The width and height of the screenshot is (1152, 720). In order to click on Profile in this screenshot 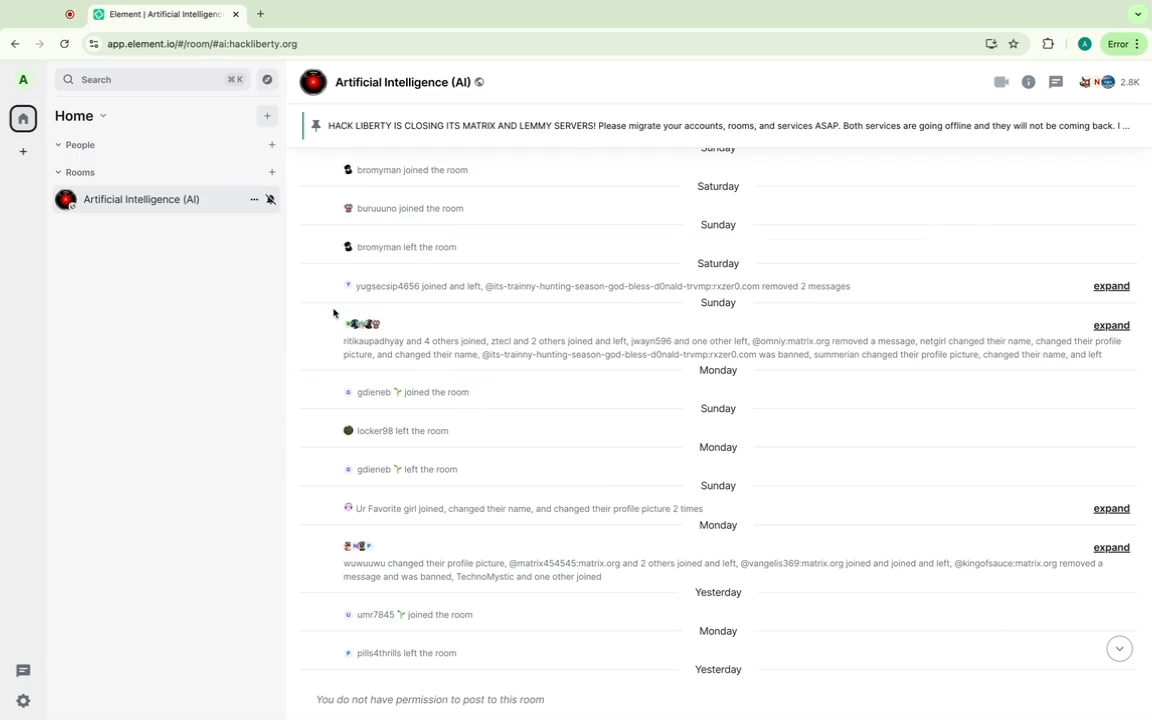, I will do `click(25, 82)`.